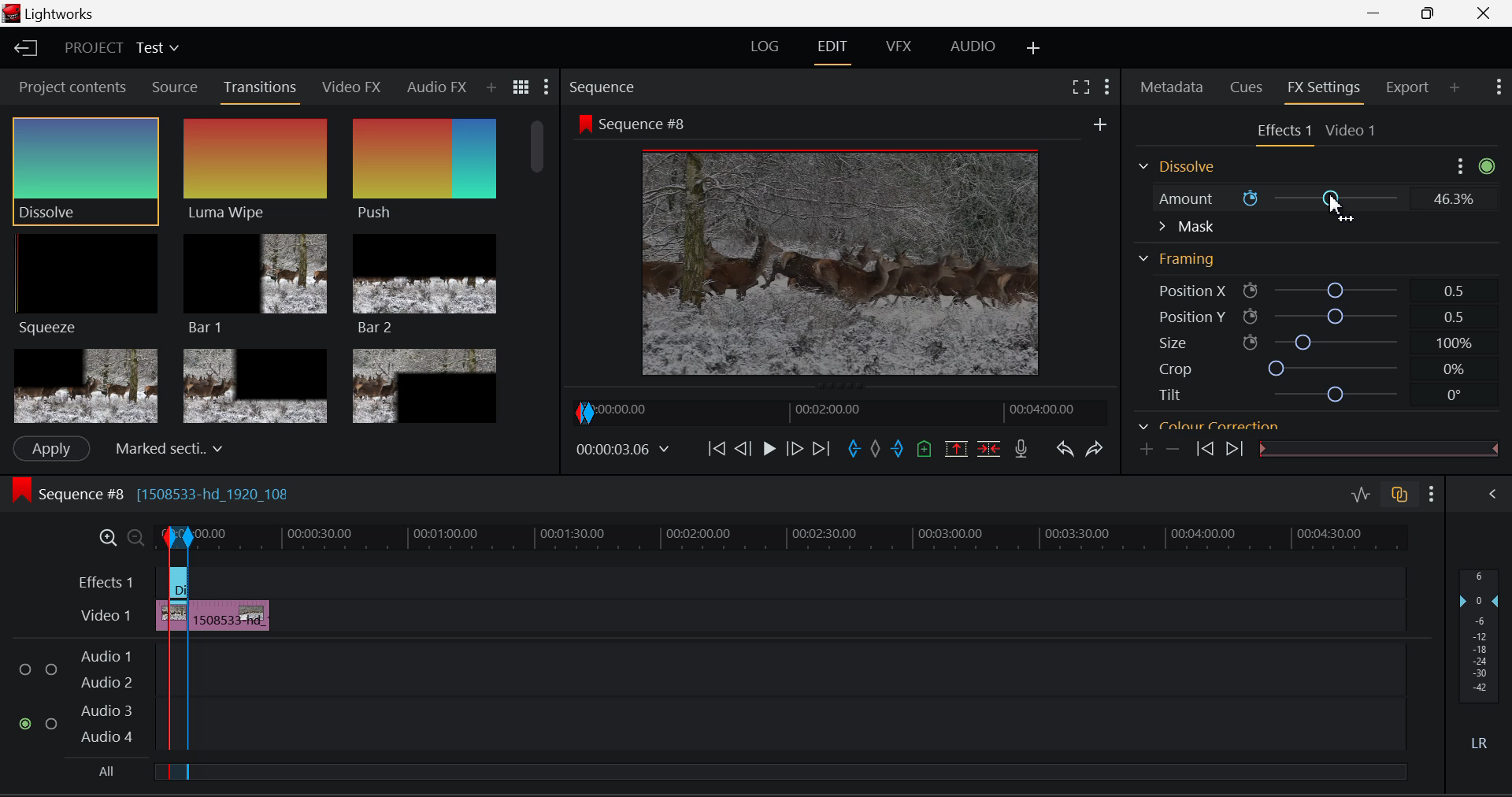 Image resolution: width=1512 pixels, height=797 pixels. Describe the element at coordinates (129, 535) in the screenshot. I see `Timeline Zoom Out` at that location.